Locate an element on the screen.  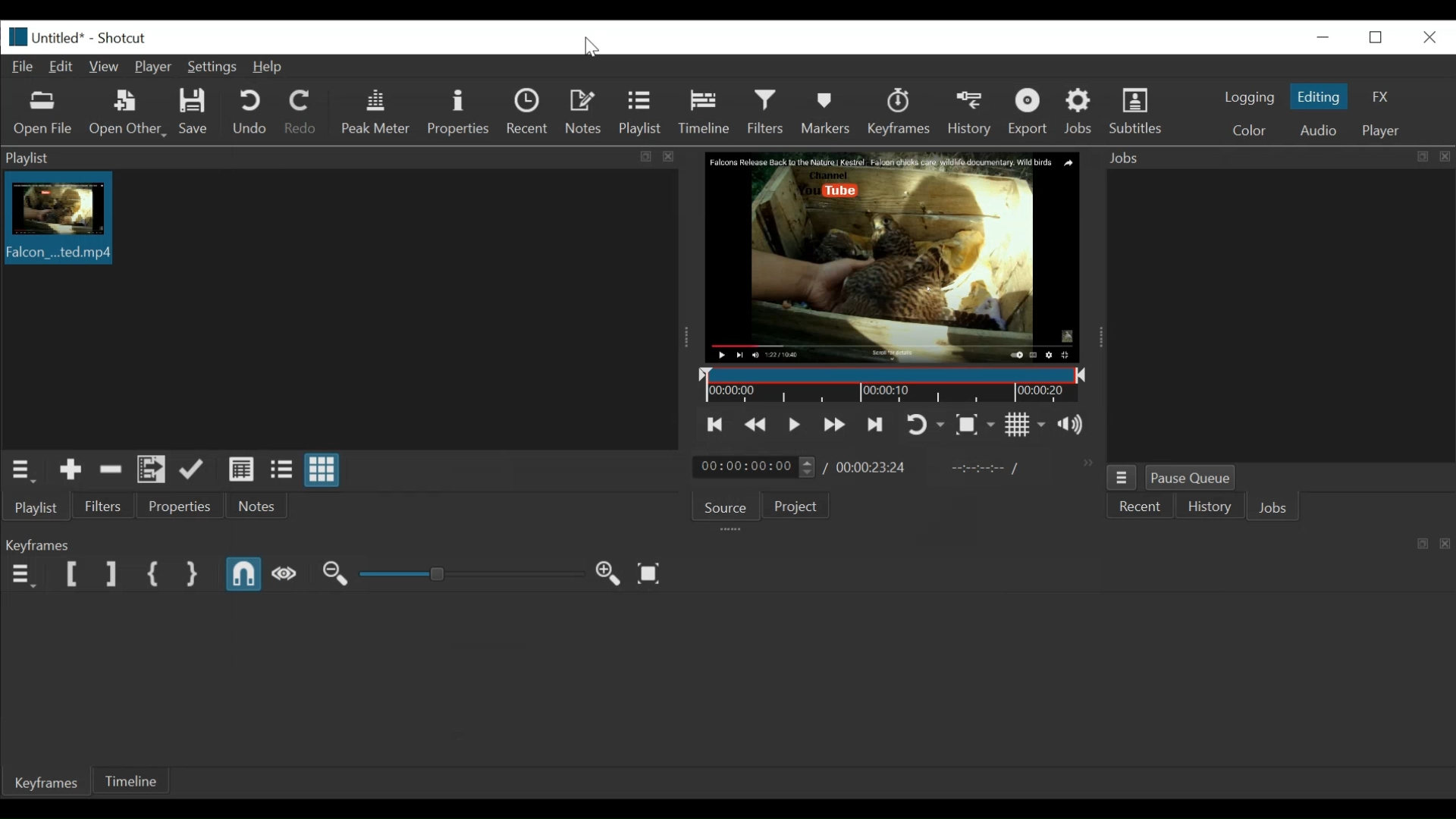
Clip thumbnail is located at coordinates (337, 309).